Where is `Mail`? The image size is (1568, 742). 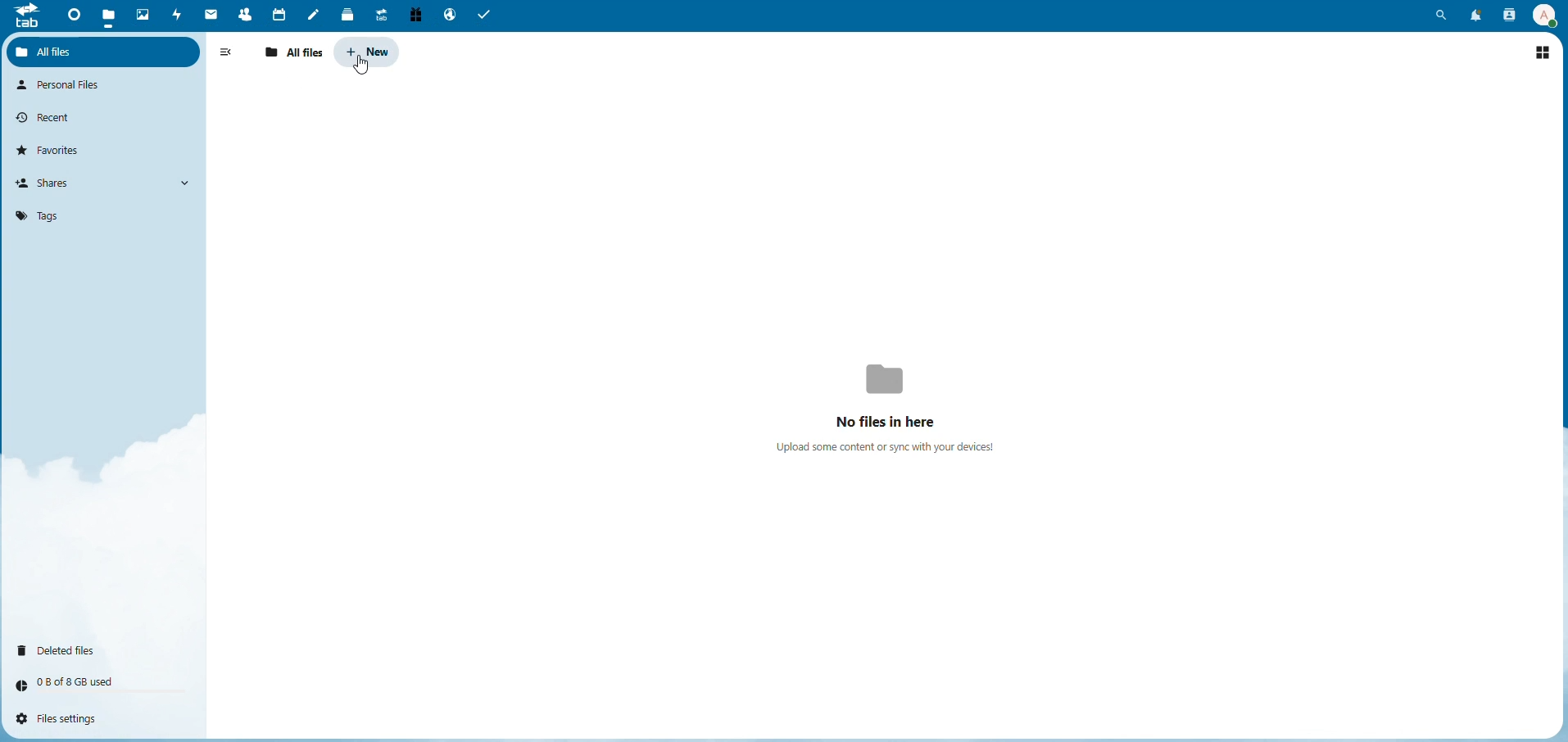
Mail is located at coordinates (211, 16).